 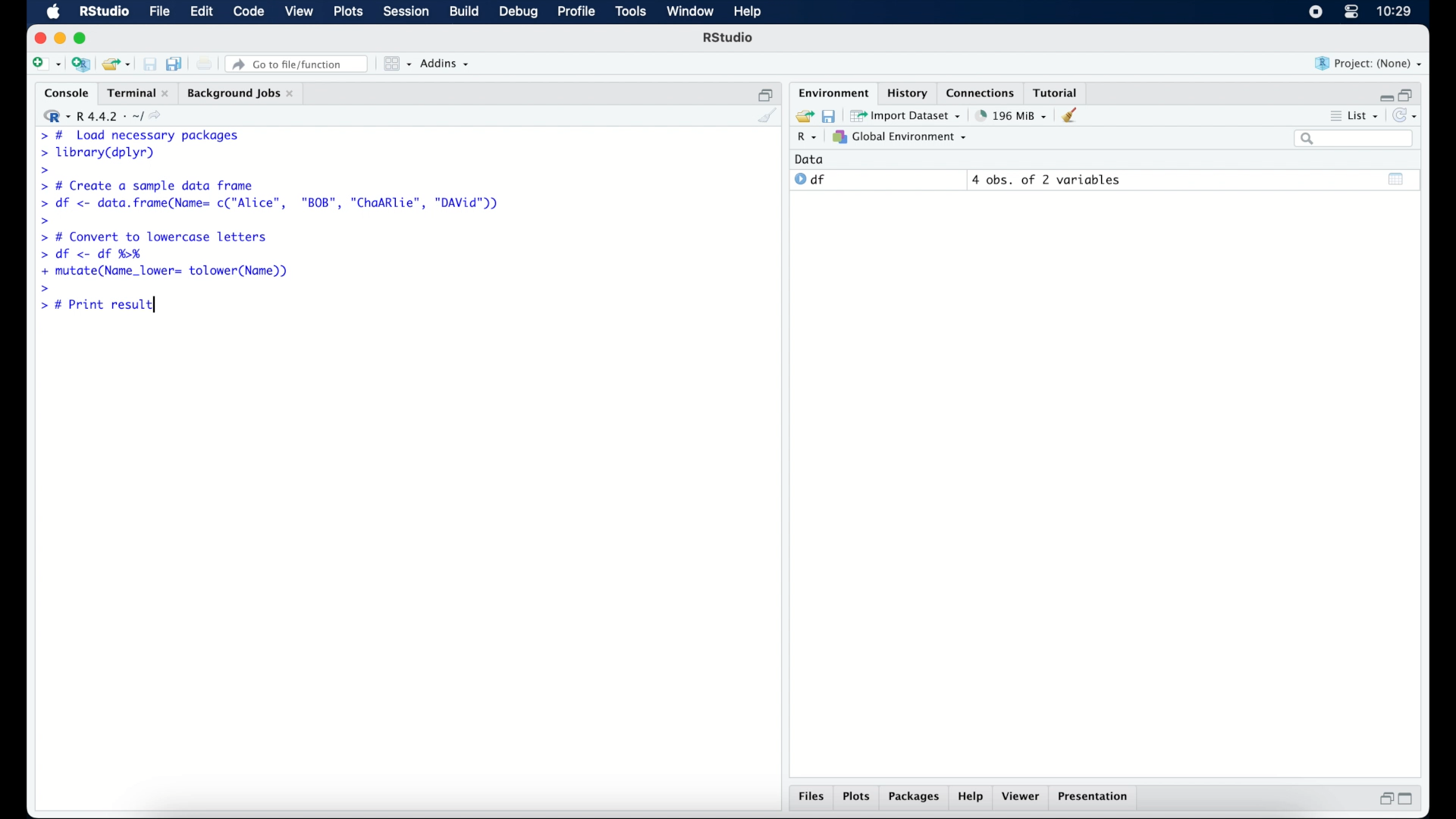 I want to click on plots, so click(x=858, y=798).